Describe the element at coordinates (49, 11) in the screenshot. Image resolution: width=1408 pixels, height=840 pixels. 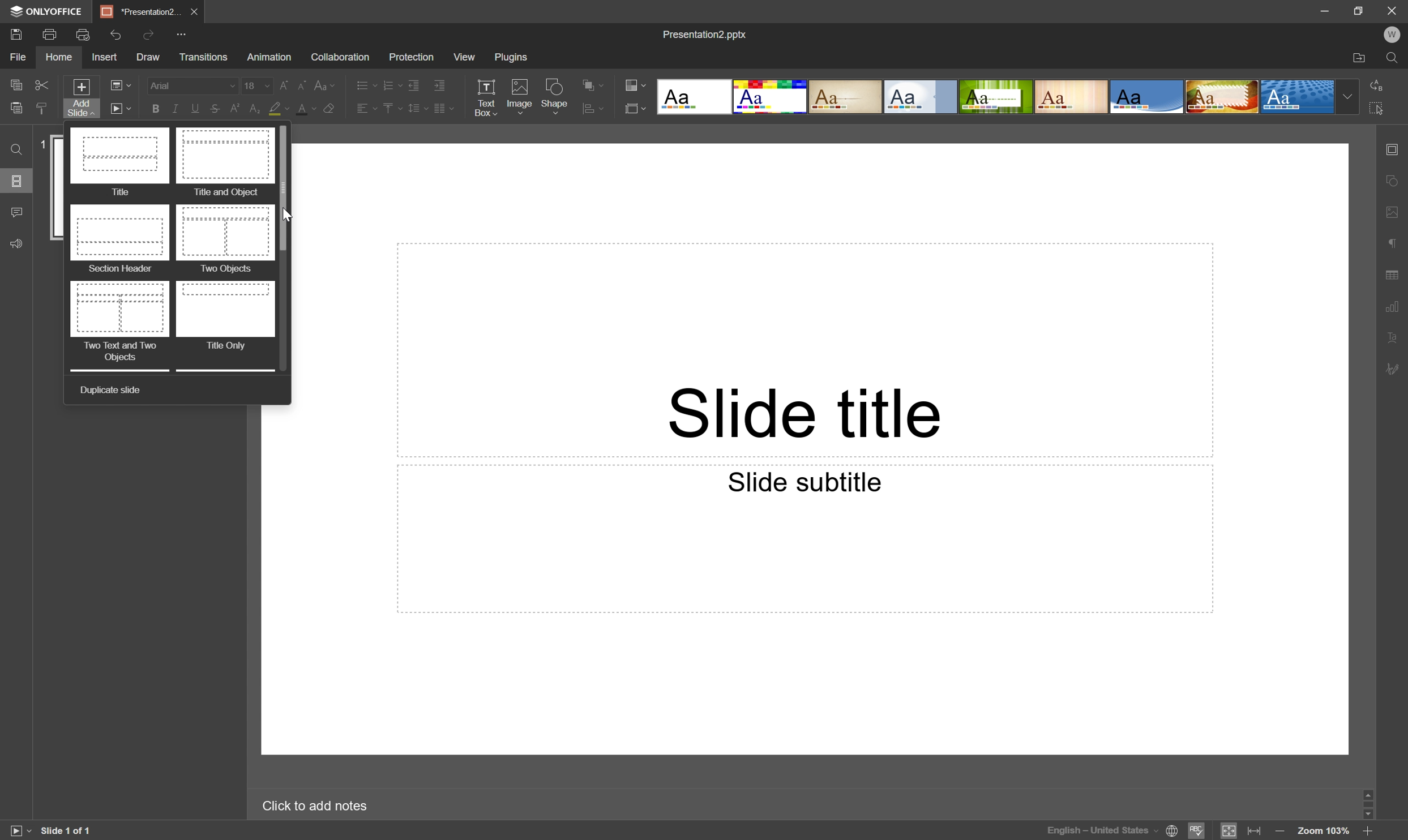
I see `ONLYOFFICE` at that location.